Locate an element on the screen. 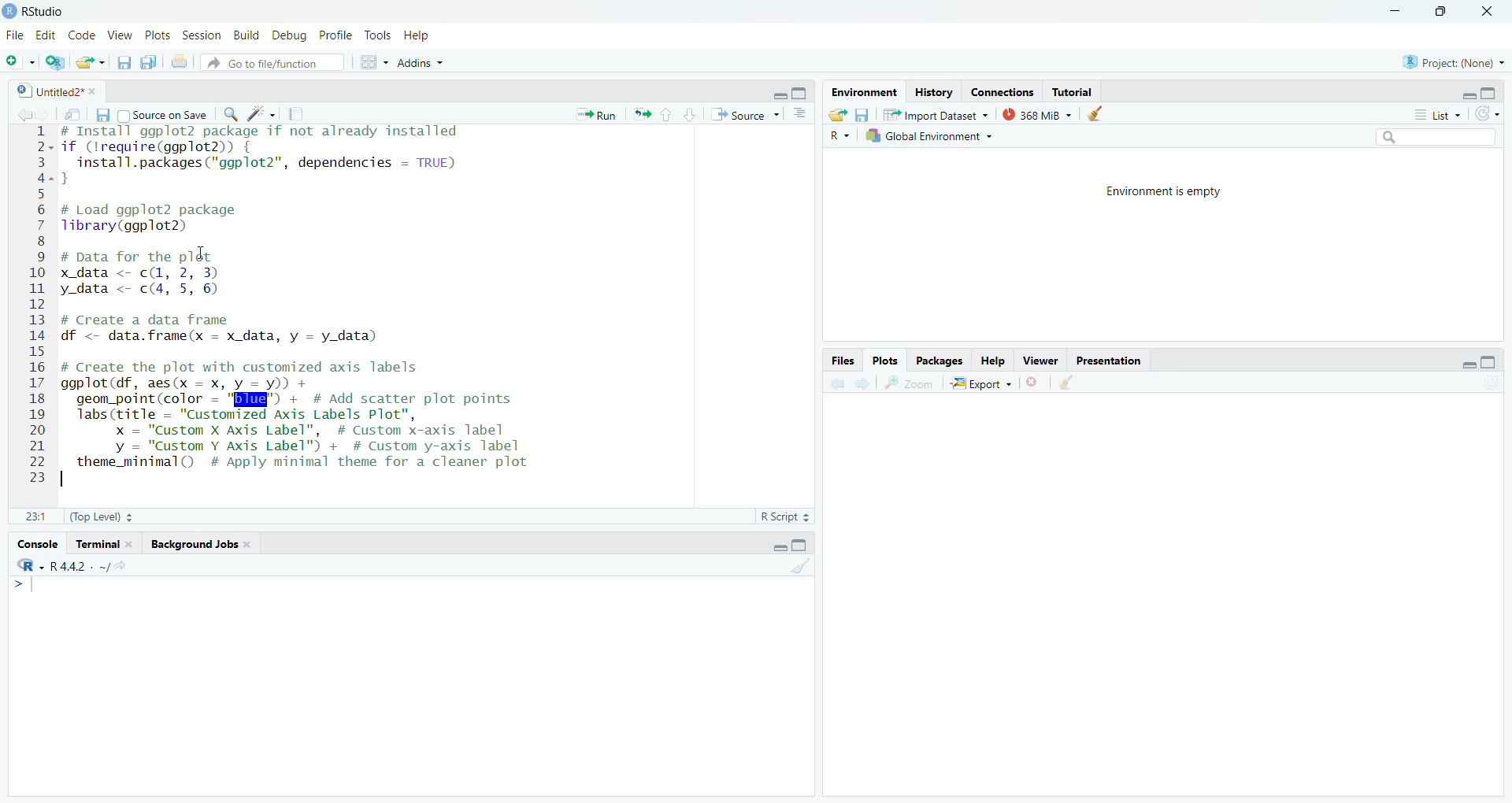  Environment is empty is located at coordinates (1170, 192).